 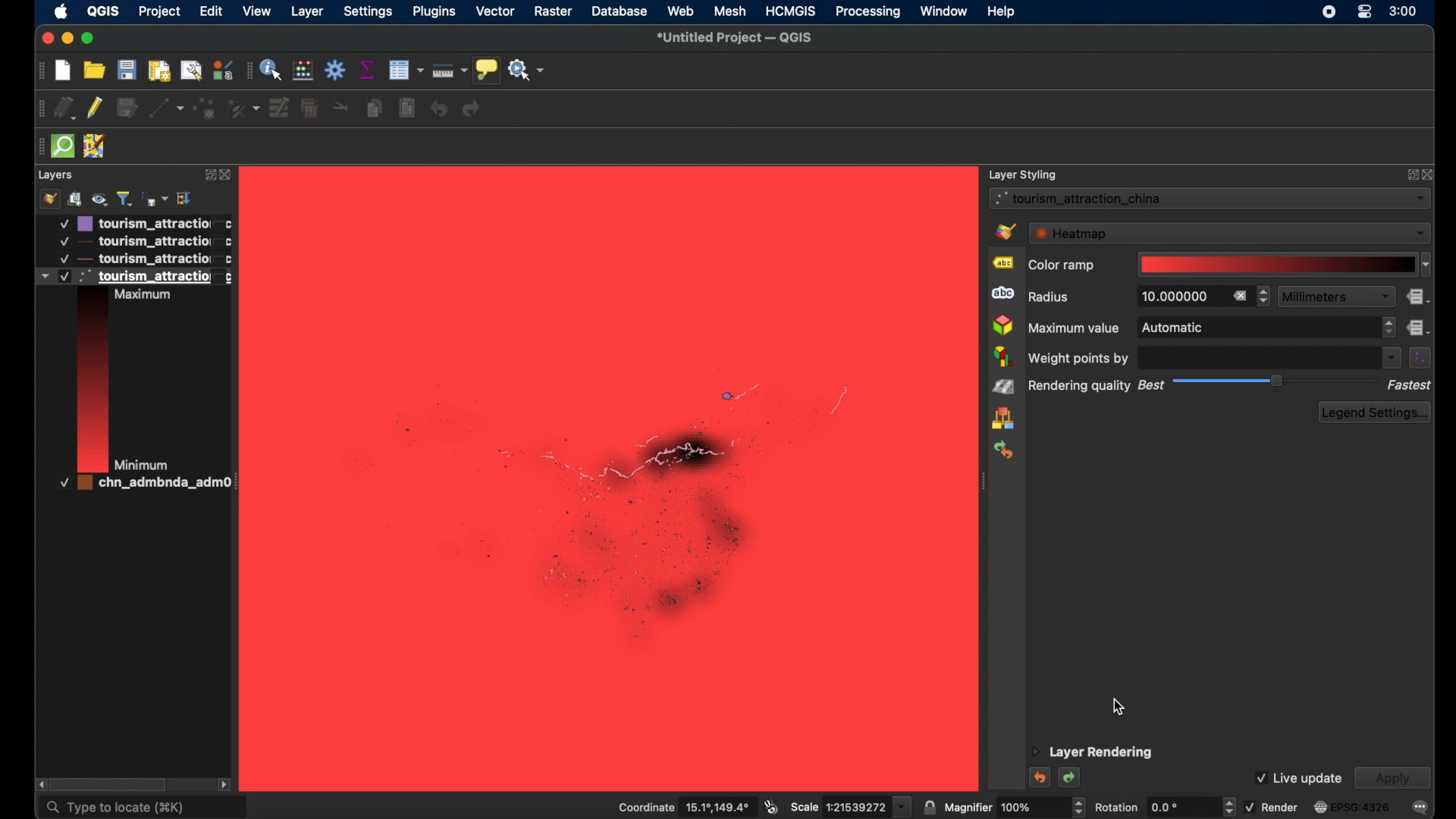 I want to click on 3d view, so click(x=1003, y=325).